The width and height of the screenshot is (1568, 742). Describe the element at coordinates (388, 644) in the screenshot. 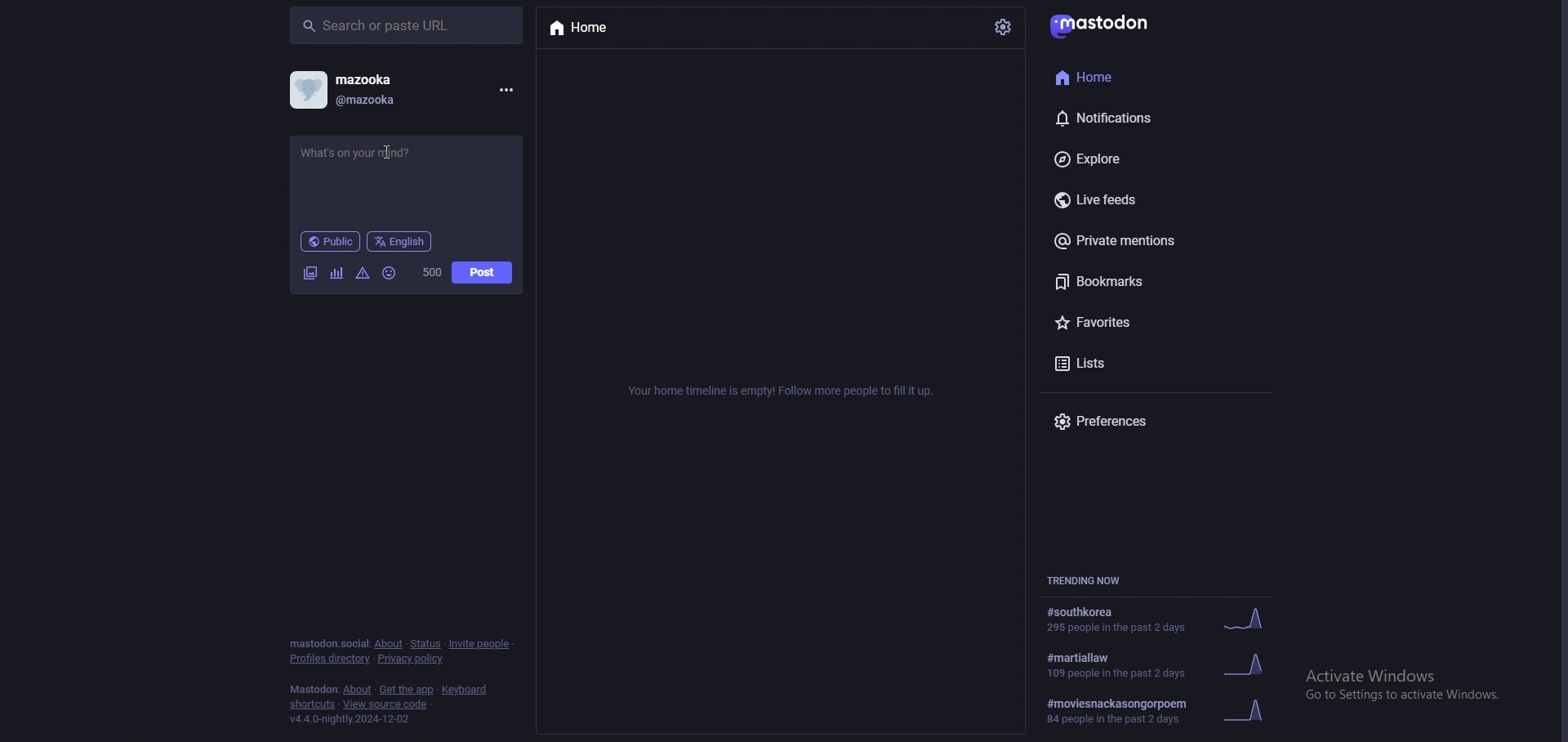

I see `about` at that location.